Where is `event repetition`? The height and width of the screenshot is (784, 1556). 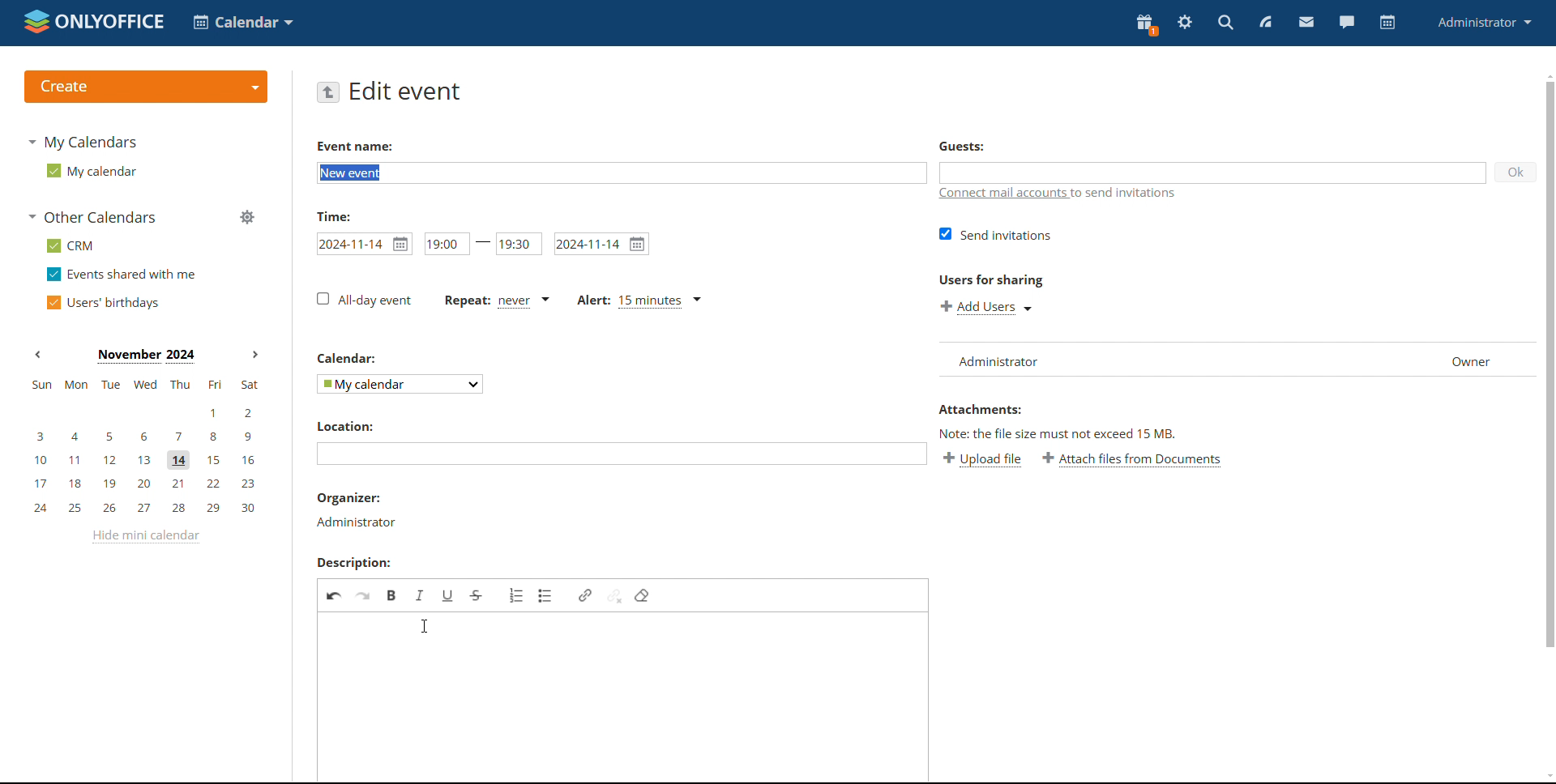 event repetition is located at coordinates (498, 300).